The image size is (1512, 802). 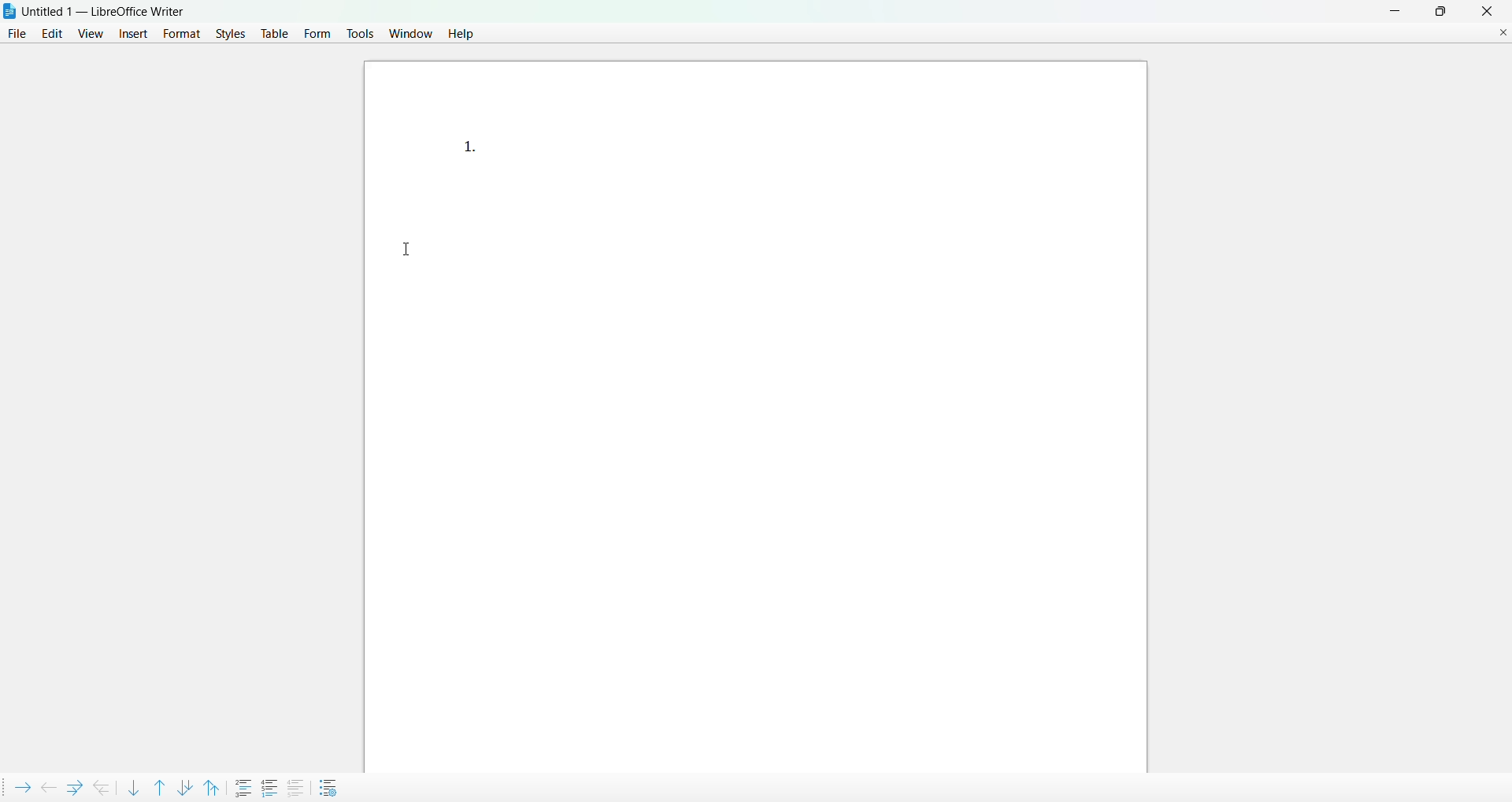 What do you see at coordinates (1503, 32) in the screenshot?
I see `close document` at bounding box center [1503, 32].